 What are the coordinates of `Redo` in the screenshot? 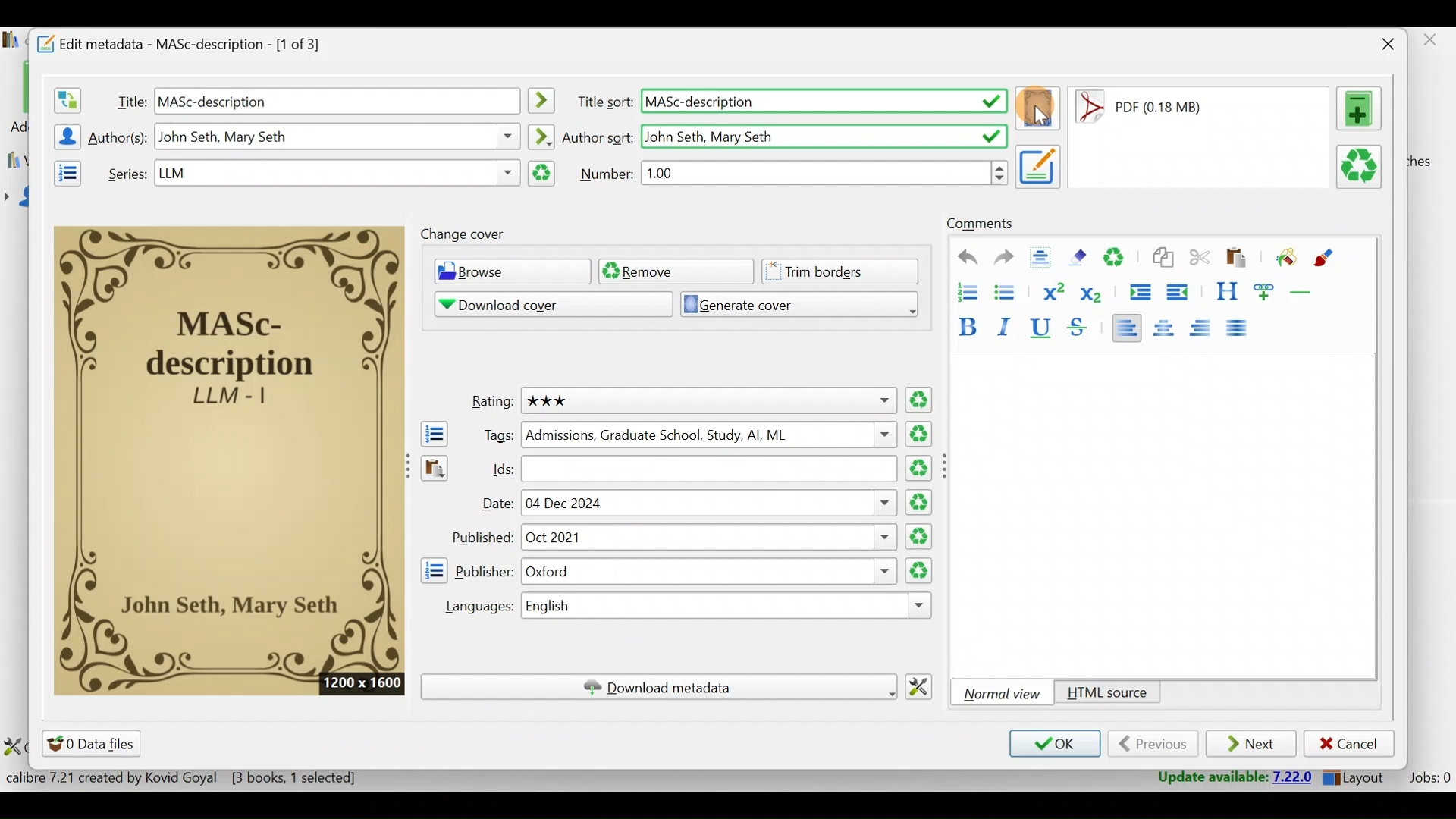 It's located at (1004, 259).